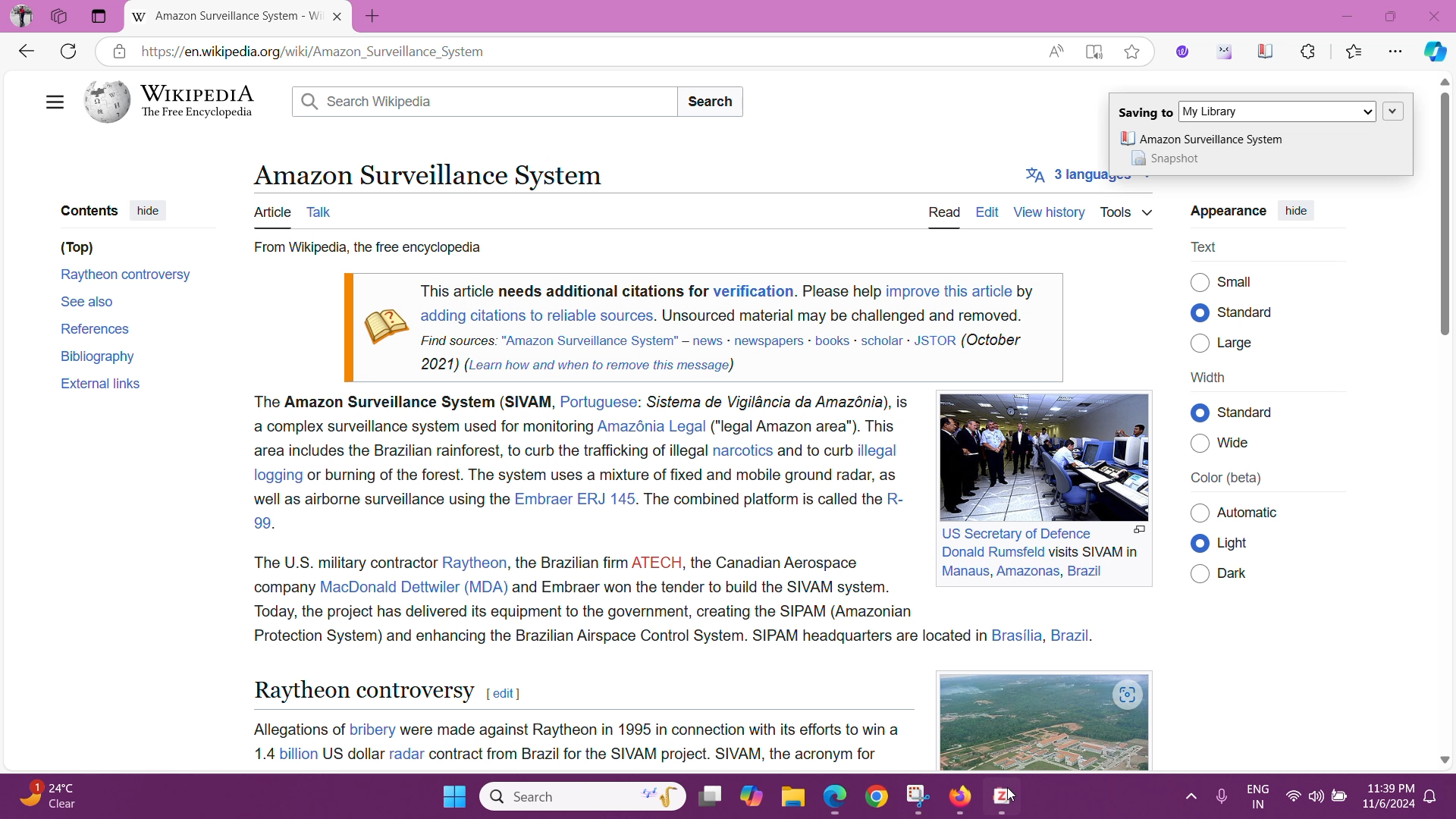 This screenshot has height=819, width=1456. What do you see at coordinates (617, 636) in the screenshot?
I see `Protection System) and enhancing the Brazilian Airspace Control System. SIPAM headquarters are located in` at bounding box center [617, 636].